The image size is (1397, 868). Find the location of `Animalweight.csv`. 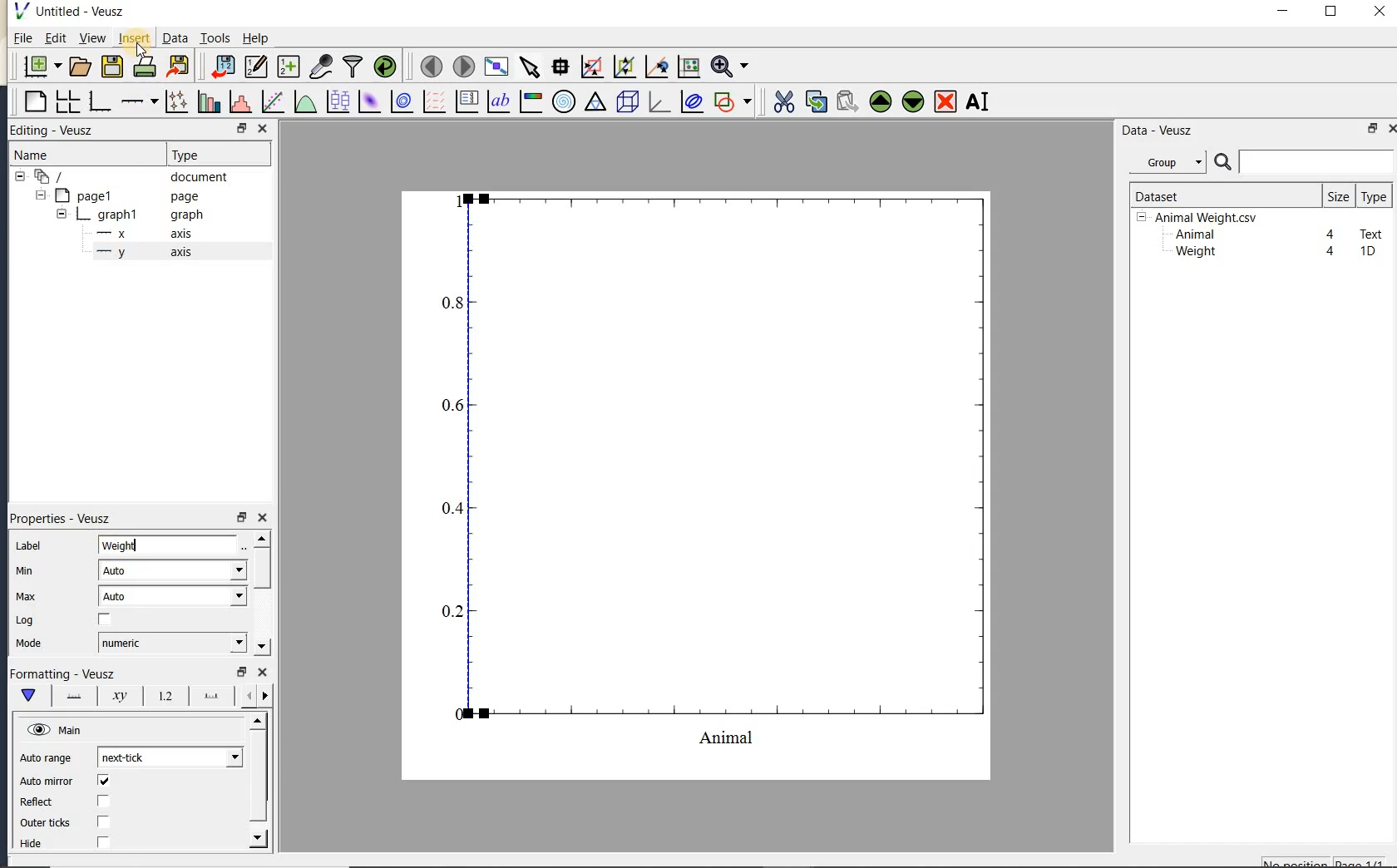

Animalweight.csv is located at coordinates (1201, 218).